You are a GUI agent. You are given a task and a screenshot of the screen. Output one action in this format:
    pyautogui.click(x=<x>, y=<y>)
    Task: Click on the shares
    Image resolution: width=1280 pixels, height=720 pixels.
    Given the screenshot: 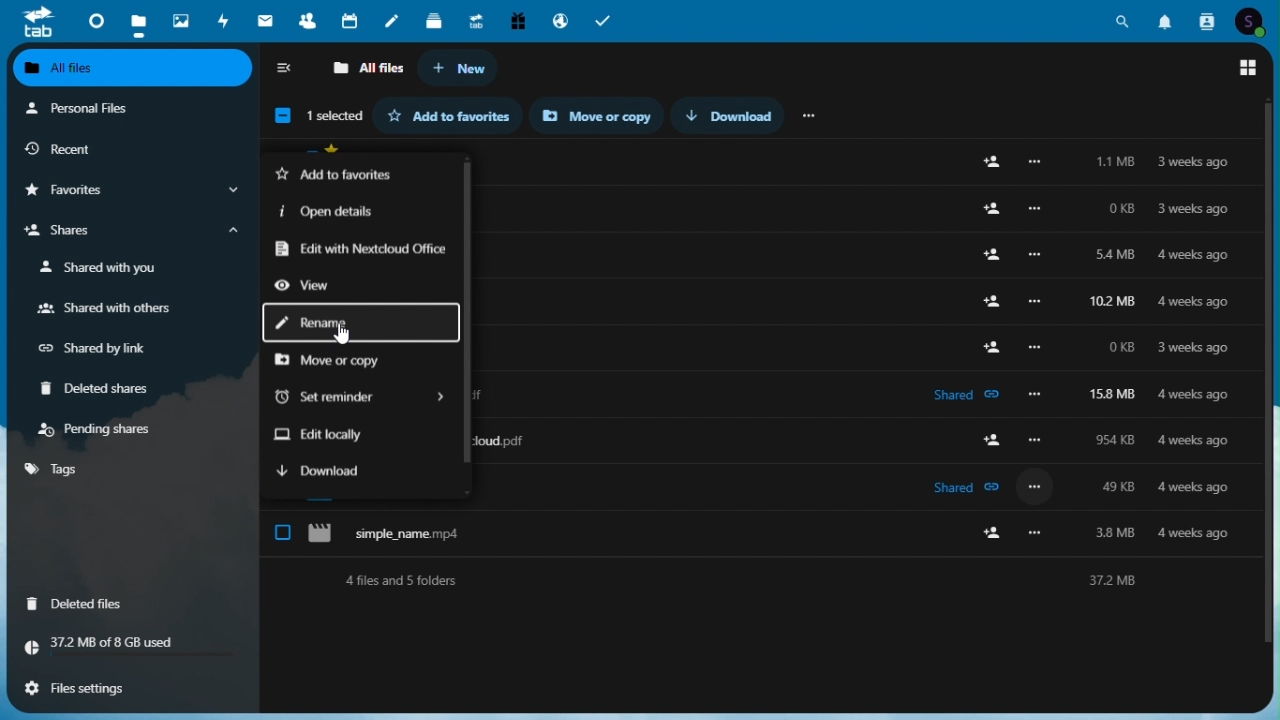 What is the action you would take?
    pyautogui.click(x=129, y=233)
    